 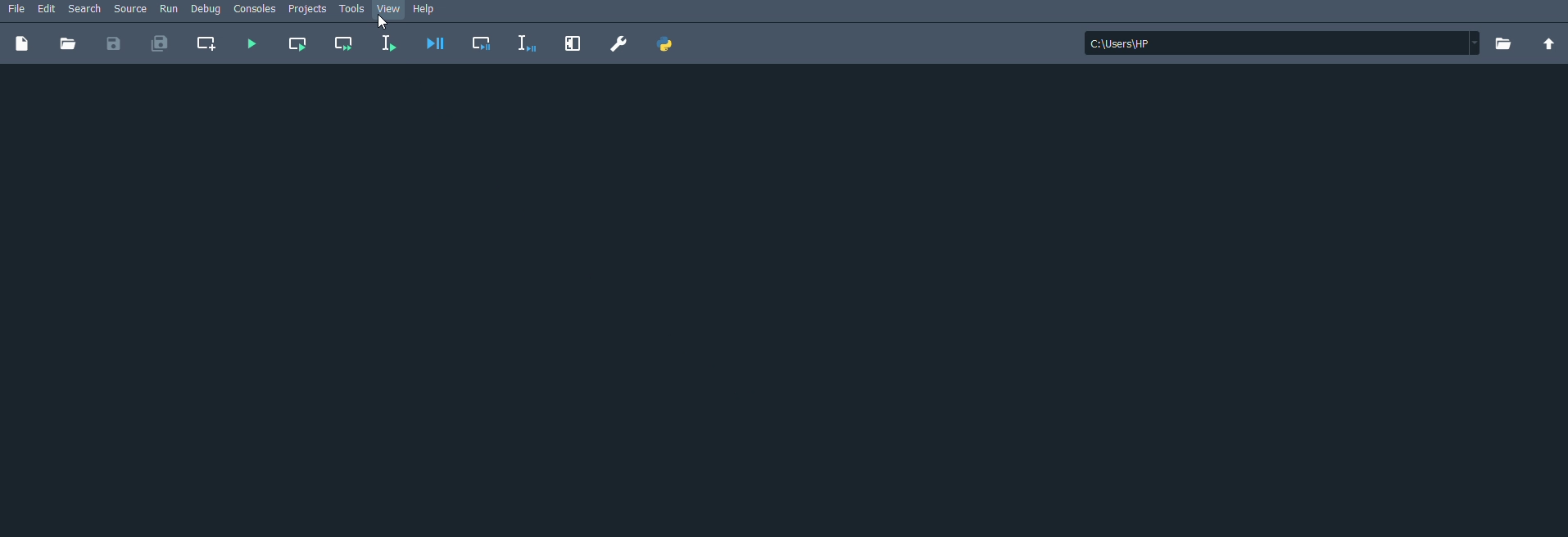 What do you see at coordinates (387, 44) in the screenshot?
I see `Run selection or current line` at bounding box center [387, 44].